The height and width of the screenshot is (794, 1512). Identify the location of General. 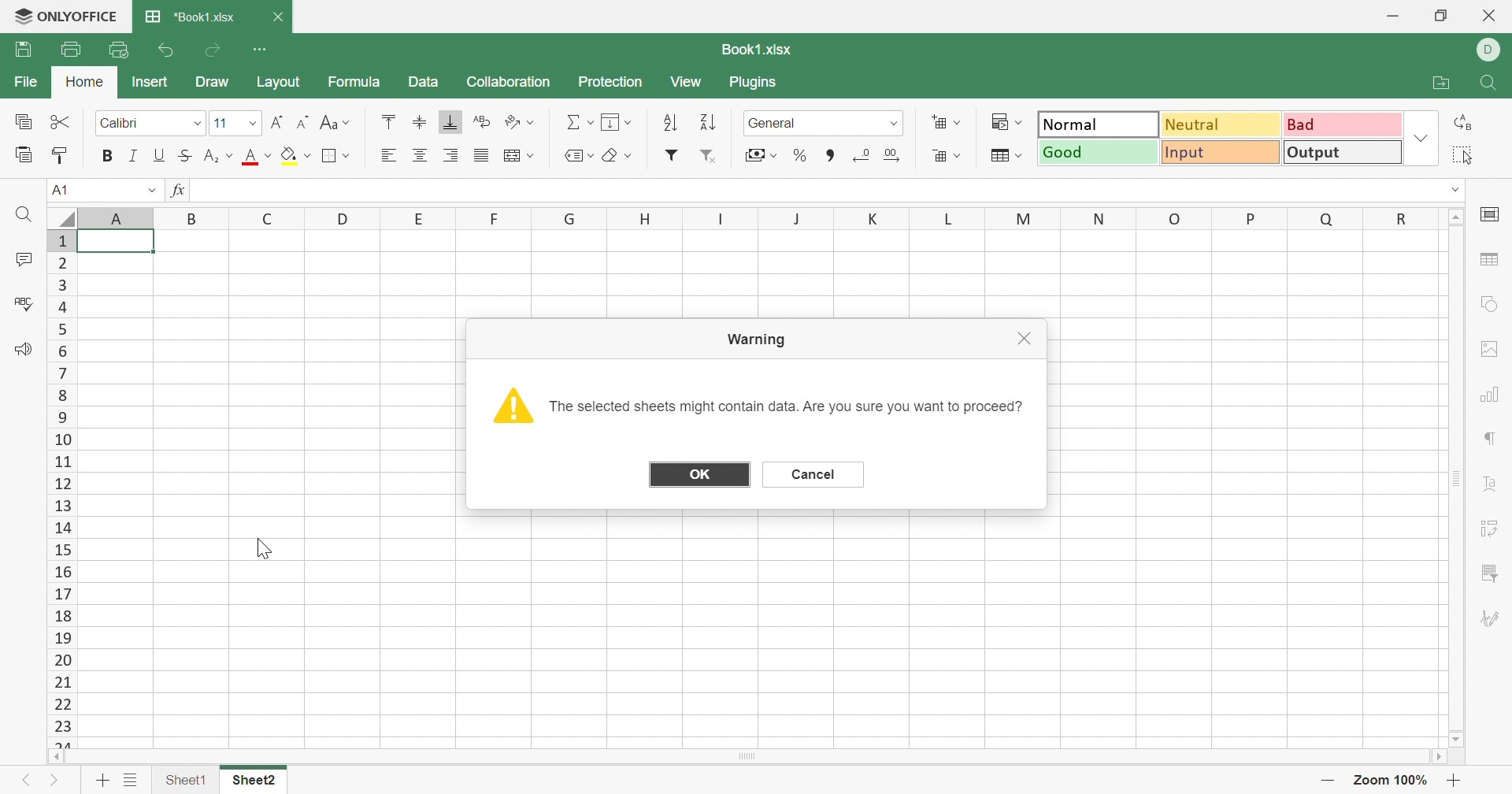
(773, 124).